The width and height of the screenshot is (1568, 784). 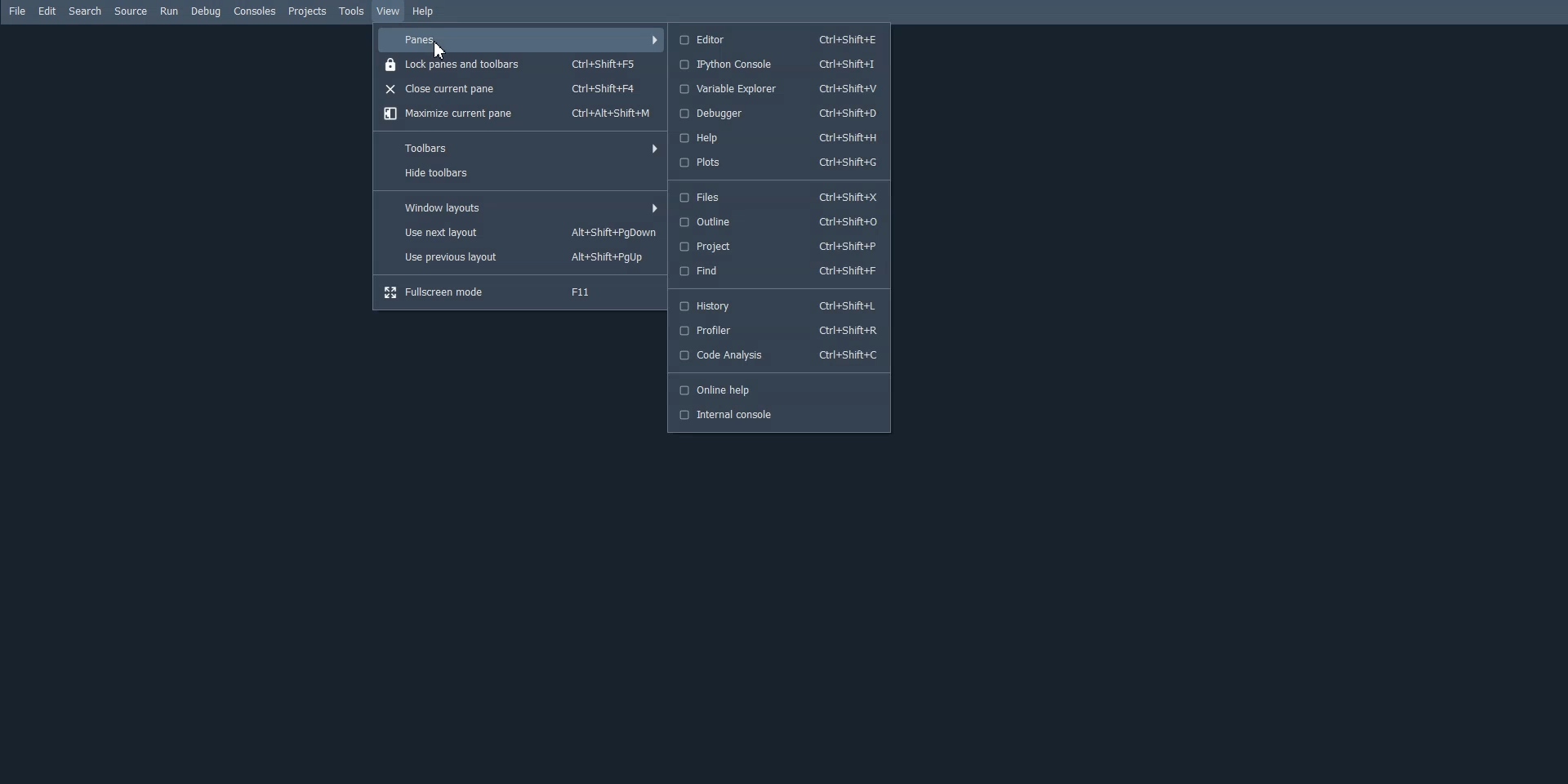 What do you see at coordinates (777, 163) in the screenshot?
I see `Plots` at bounding box center [777, 163].